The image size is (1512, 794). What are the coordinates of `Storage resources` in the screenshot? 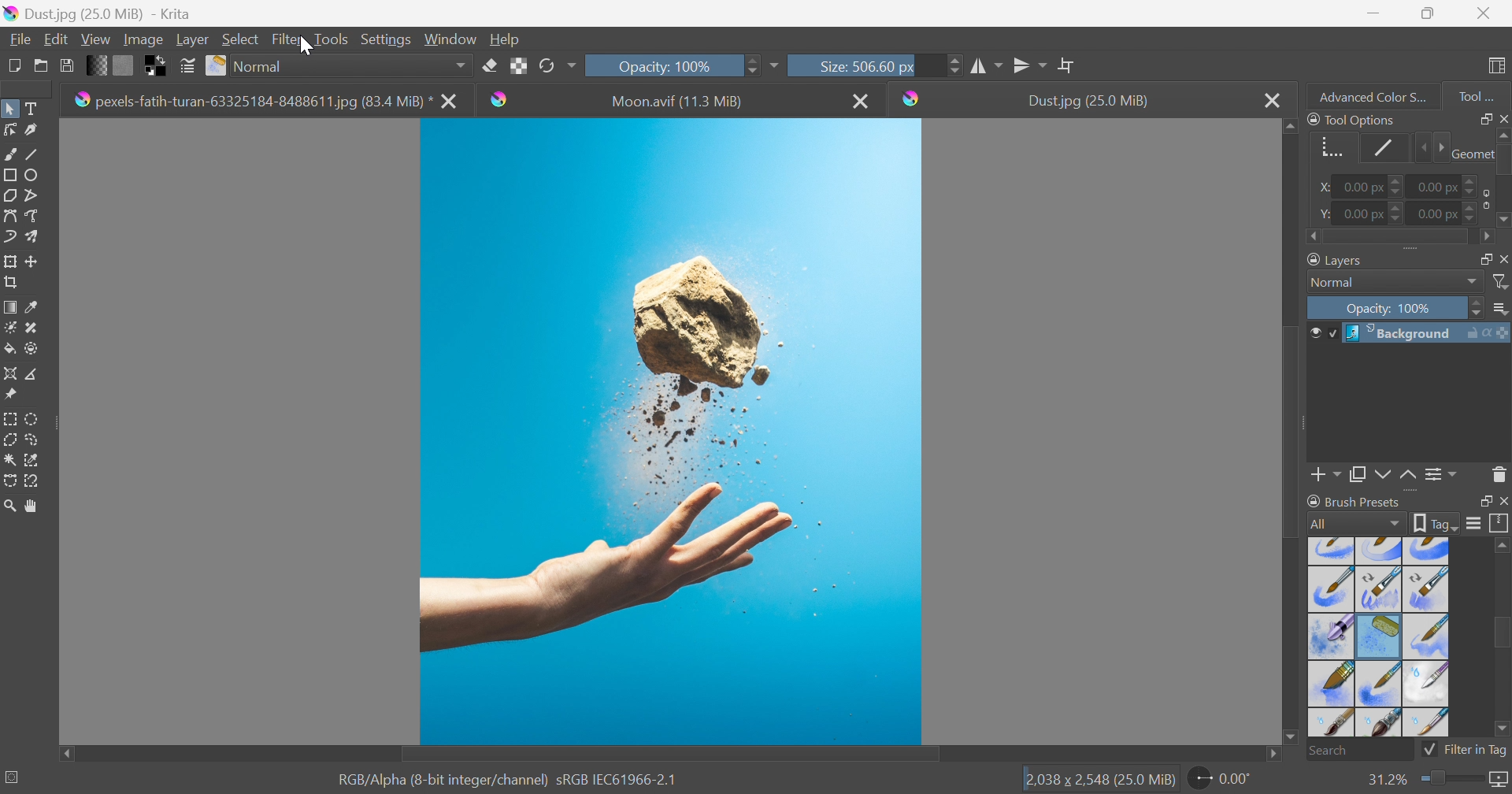 It's located at (1499, 524).